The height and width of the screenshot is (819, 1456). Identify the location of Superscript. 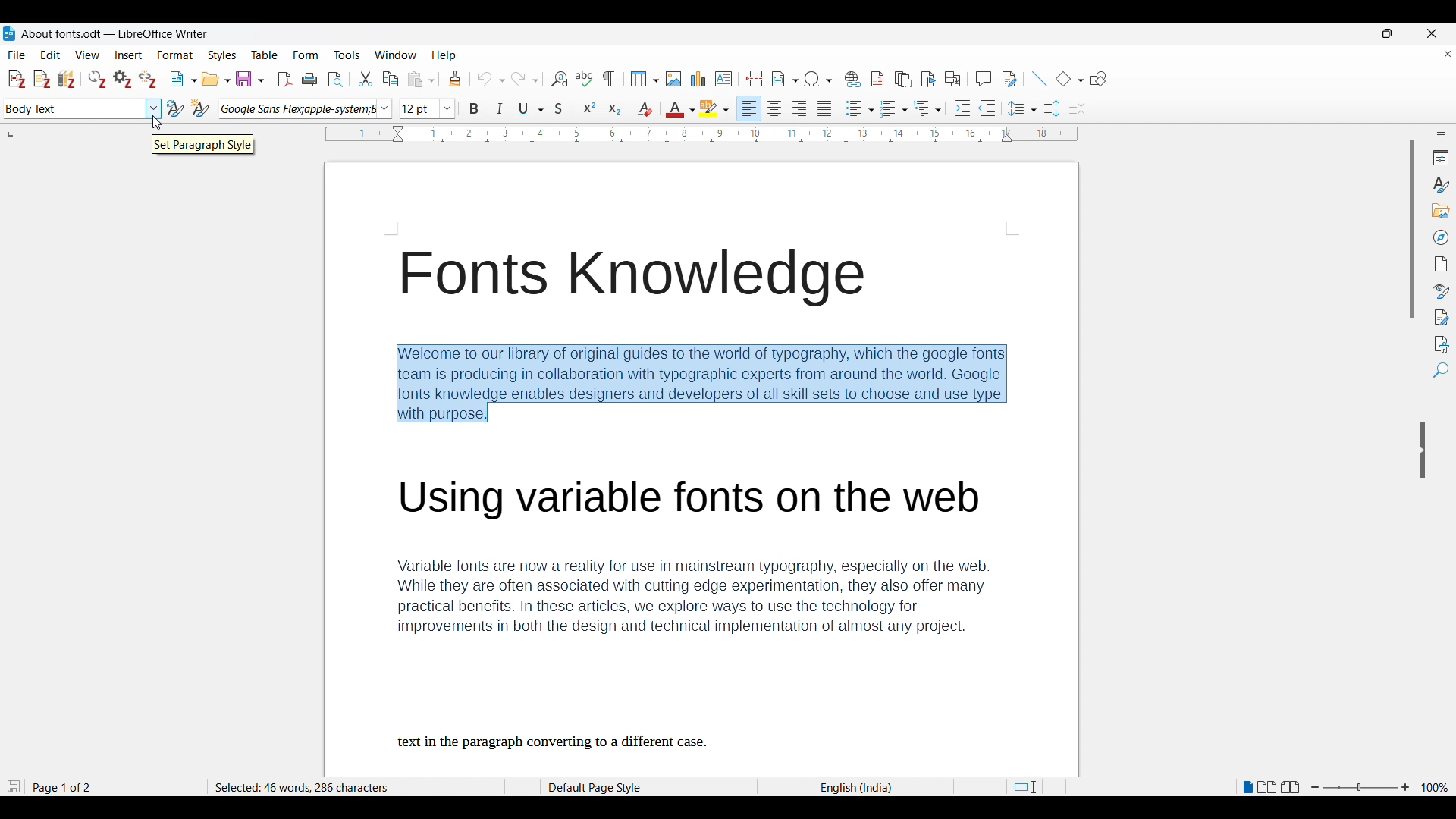
(590, 108).